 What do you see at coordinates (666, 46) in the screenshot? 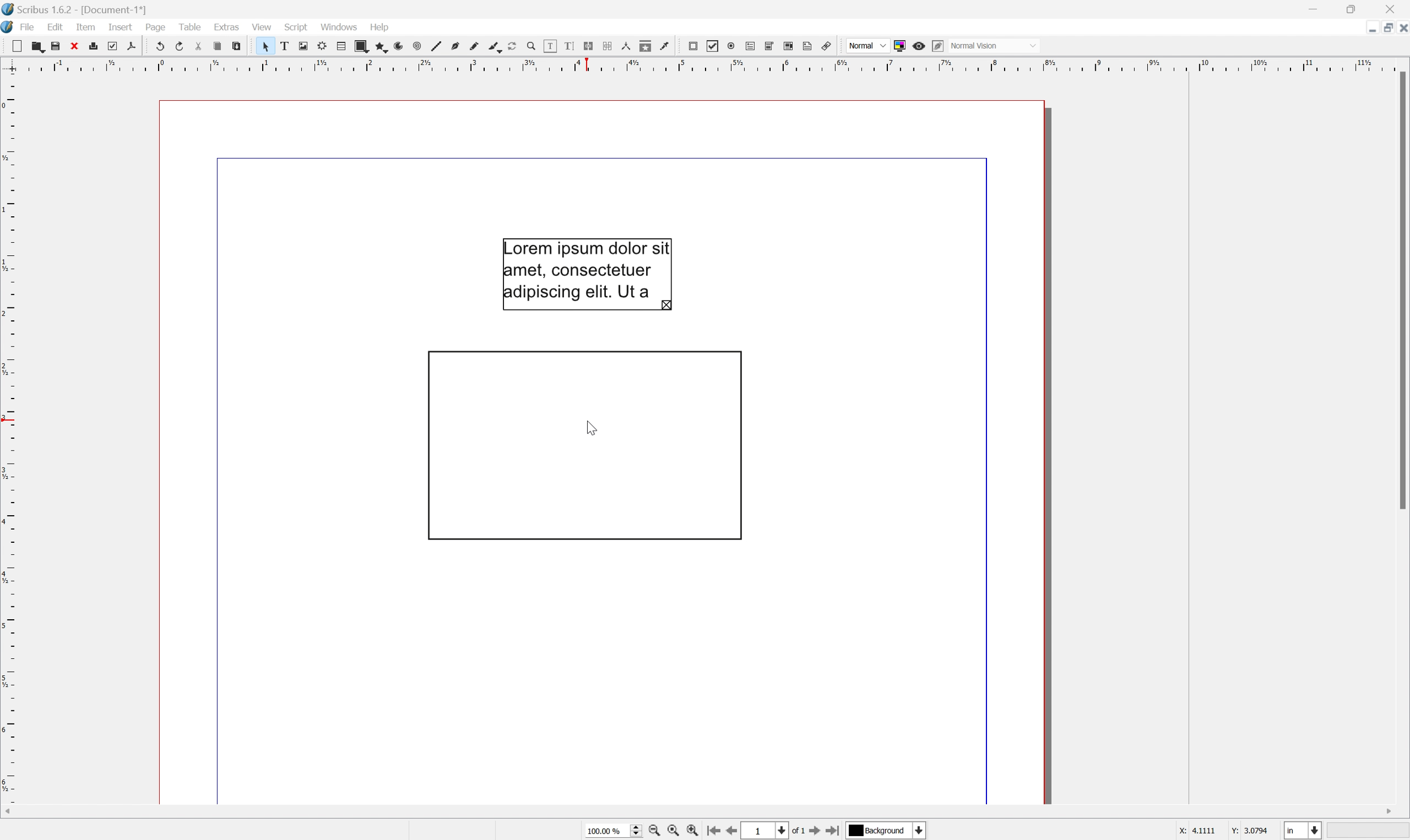
I see `Eye dropper` at bounding box center [666, 46].